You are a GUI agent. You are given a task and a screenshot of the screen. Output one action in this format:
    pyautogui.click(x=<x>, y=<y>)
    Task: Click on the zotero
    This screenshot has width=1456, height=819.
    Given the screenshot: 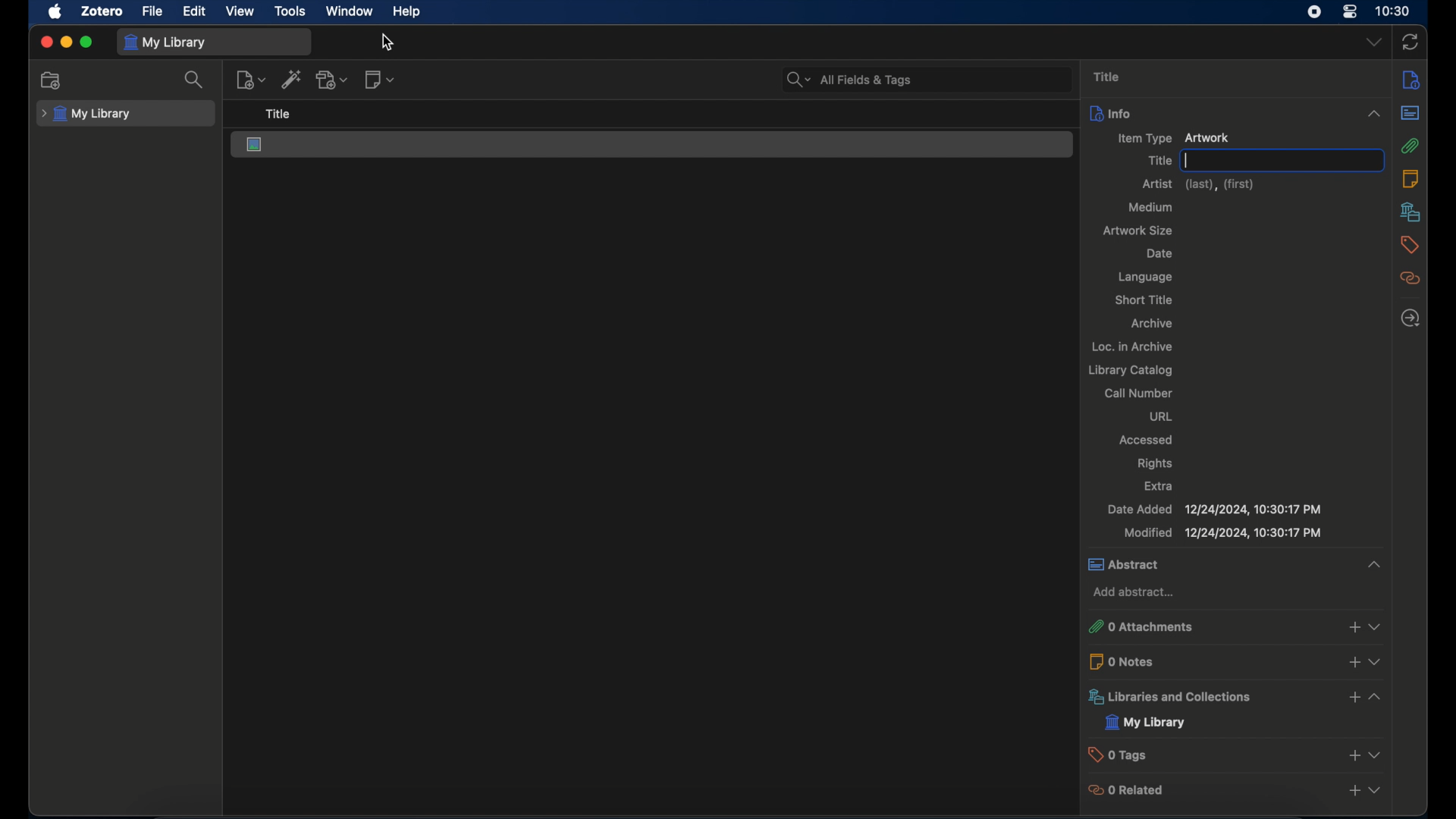 What is the action you would take?
    pyautogui.click(x=102, y=11)
    